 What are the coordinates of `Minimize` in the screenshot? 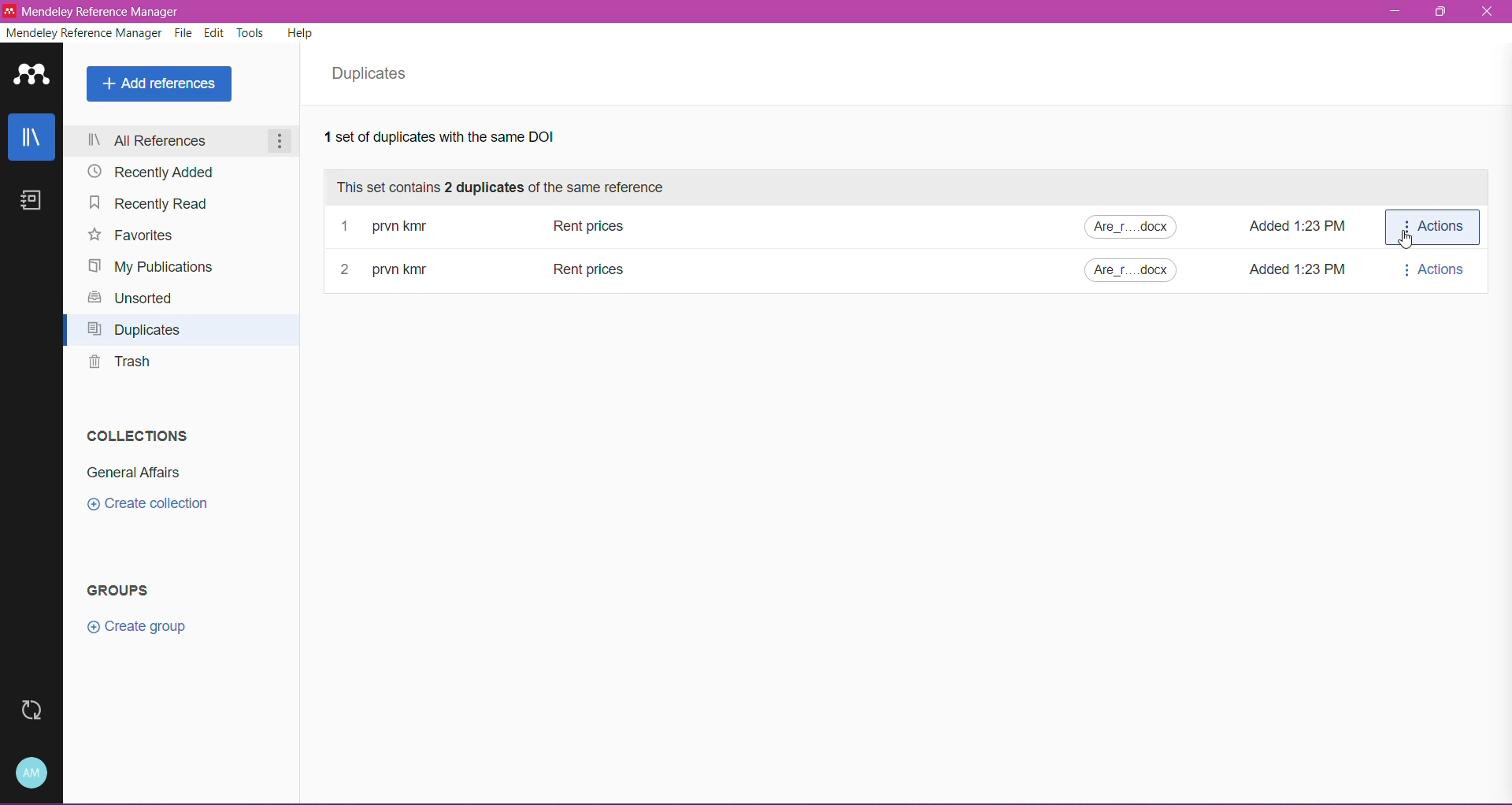 It's located at (1392, 11).